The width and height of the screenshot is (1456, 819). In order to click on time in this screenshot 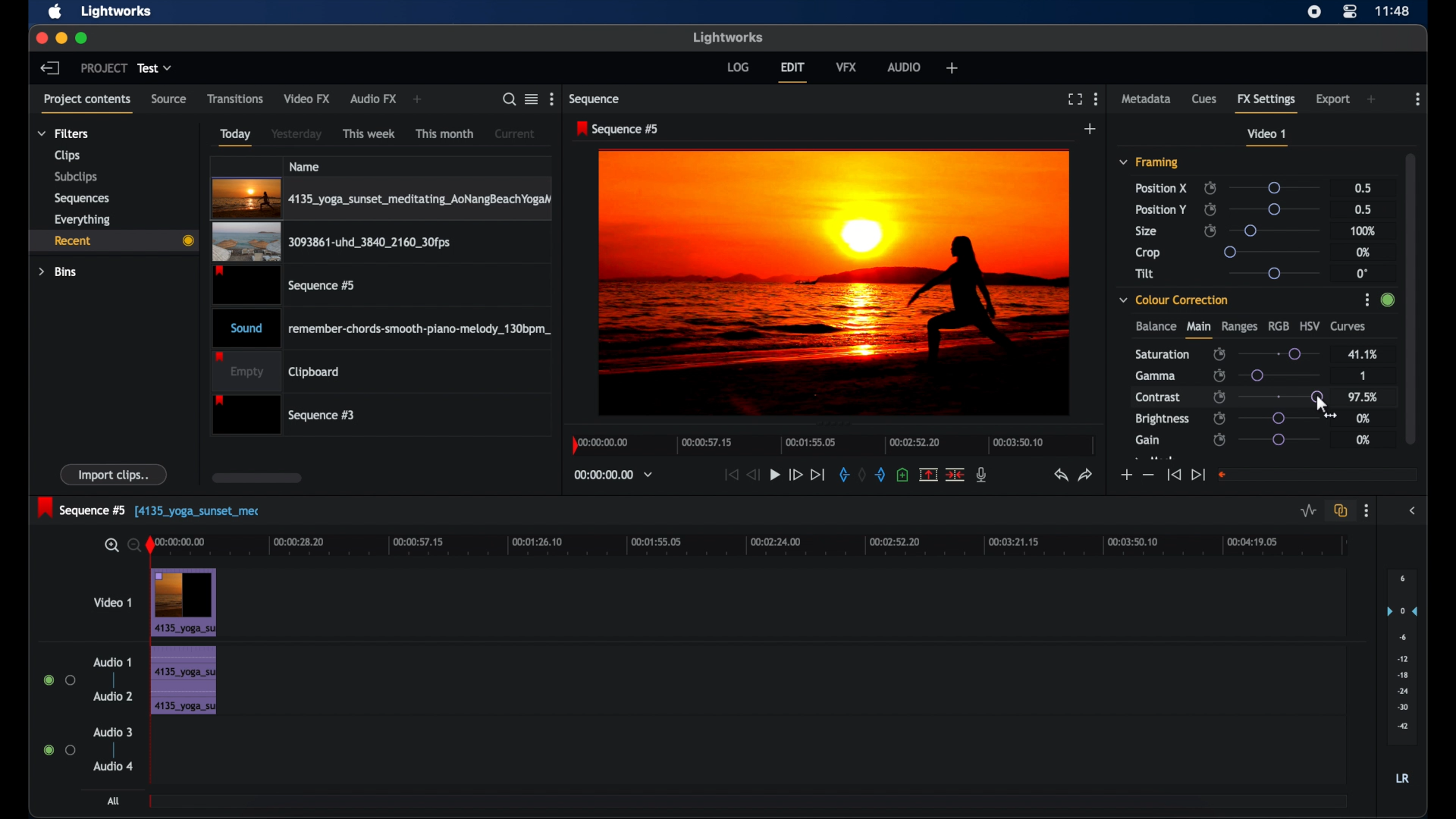, I will do `click(1394, 10)`.